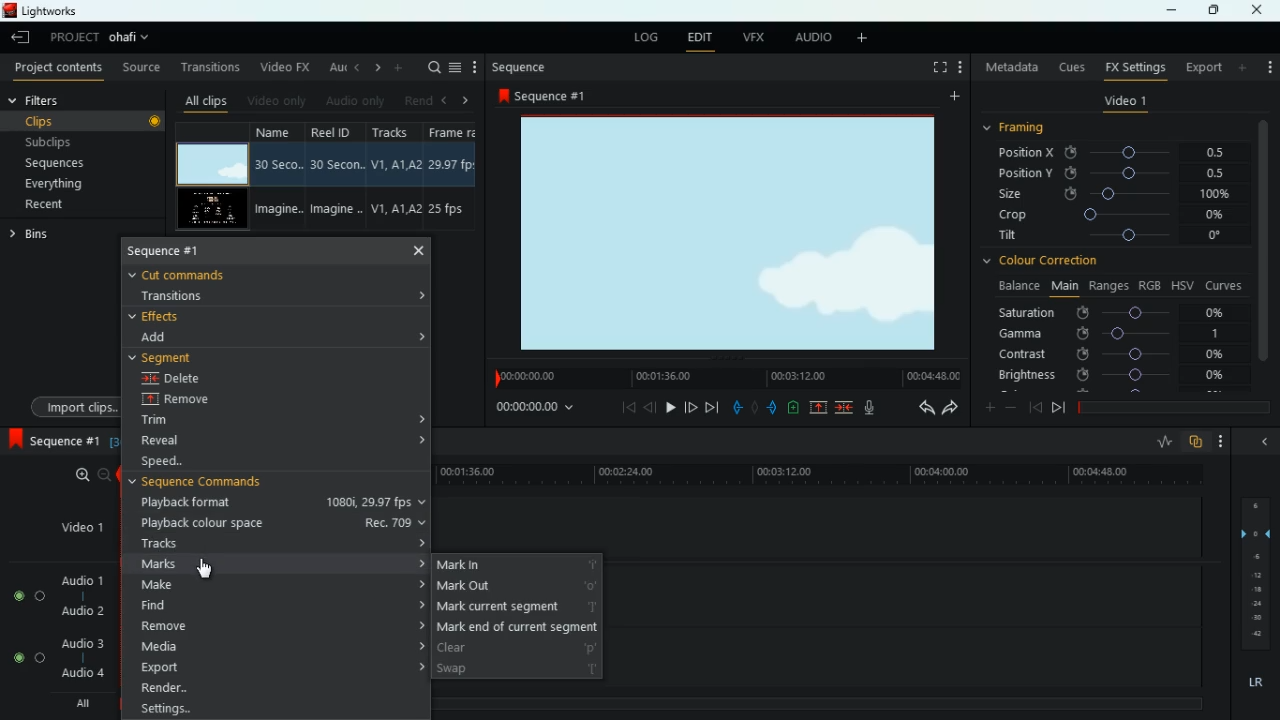 The height and width of the screenshot is (720, 1280). What do you see at coordinates (518, 647) in the screenshot?
I see `clear` at bounding box center [518, 647].